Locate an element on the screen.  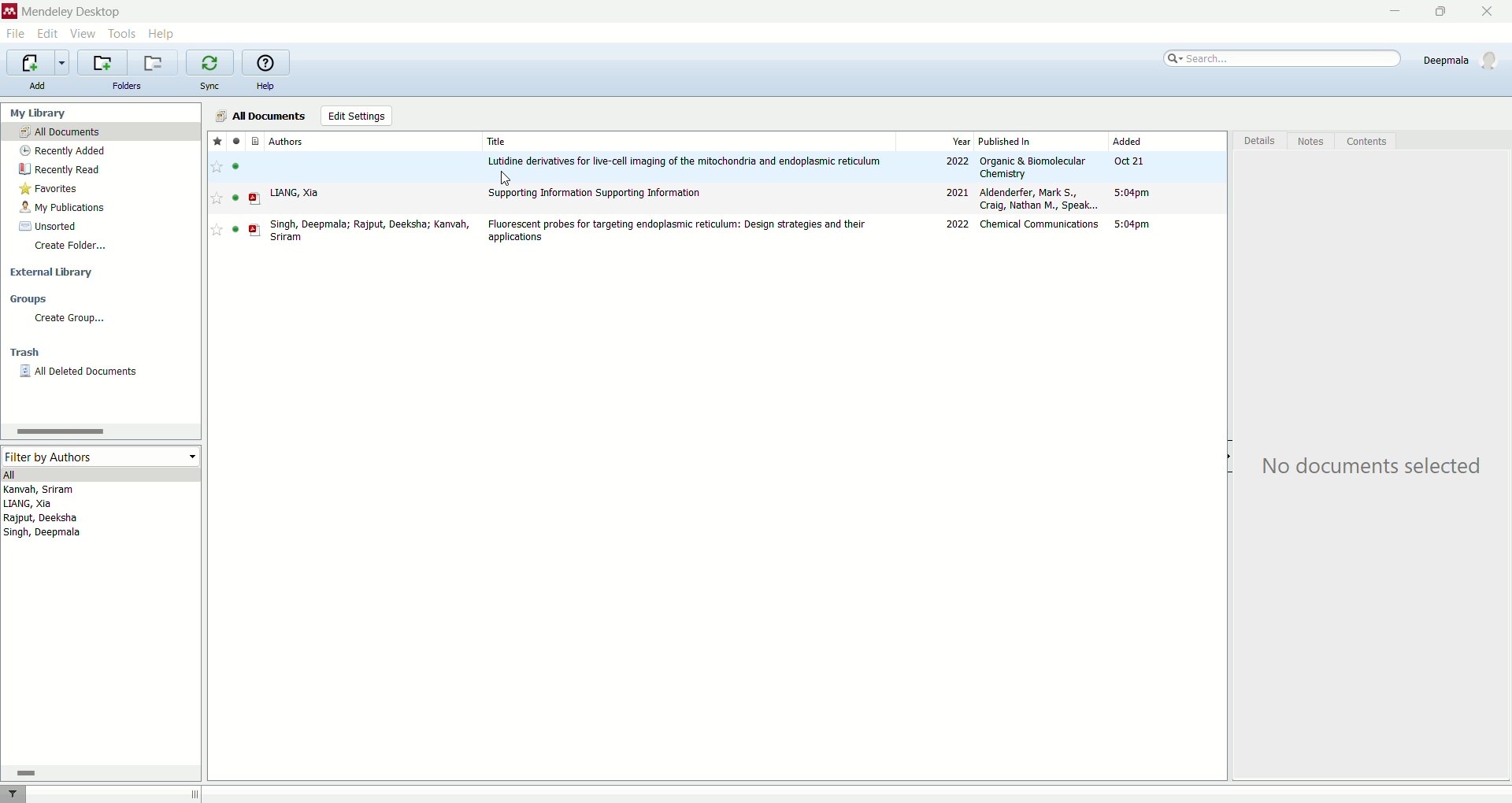
Chemical Communications is located at coordinates (1040, 224).